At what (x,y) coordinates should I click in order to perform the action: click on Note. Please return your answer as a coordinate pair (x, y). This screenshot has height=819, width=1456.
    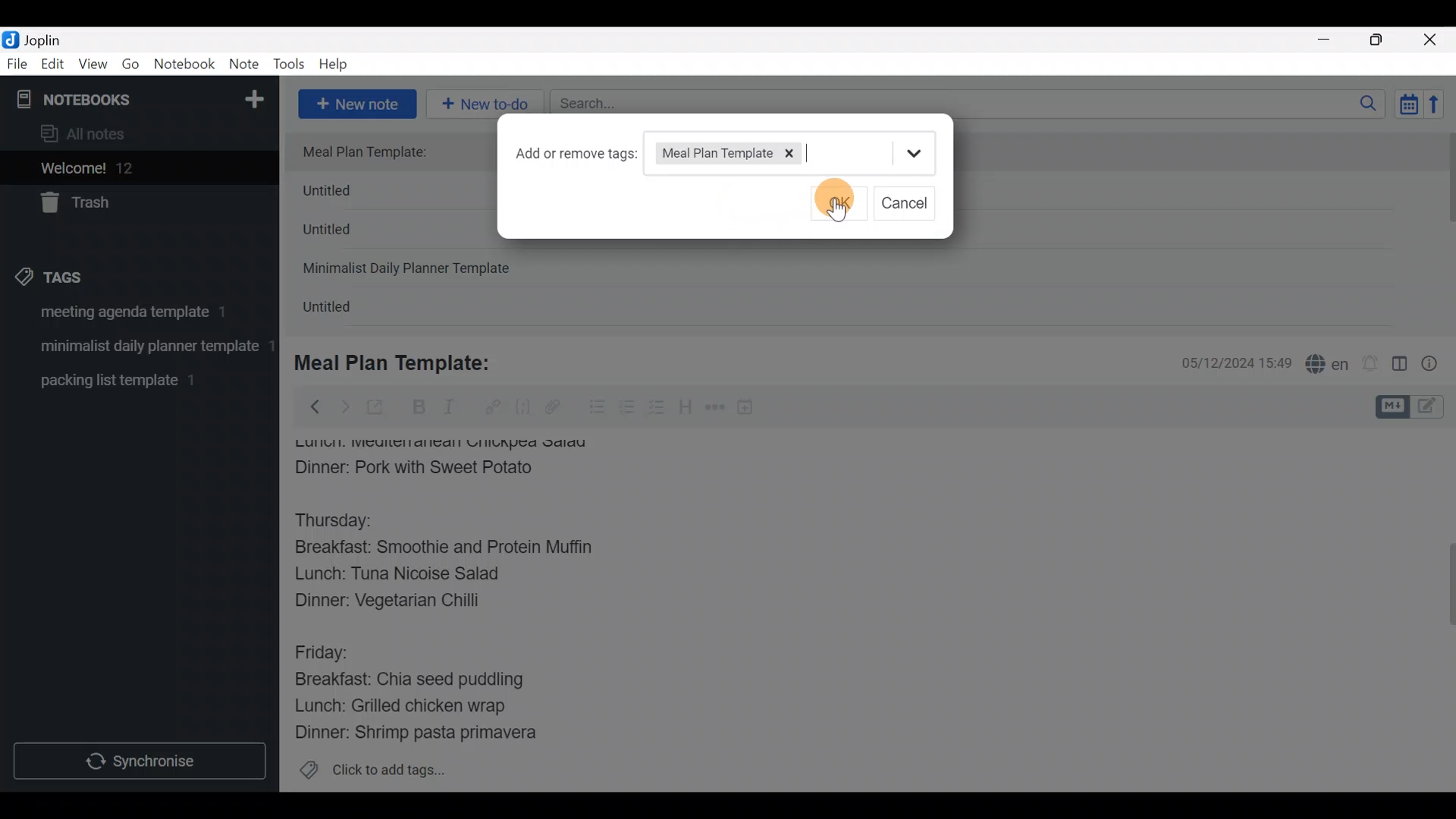
    Looking at the image, I should click on (247, 65).